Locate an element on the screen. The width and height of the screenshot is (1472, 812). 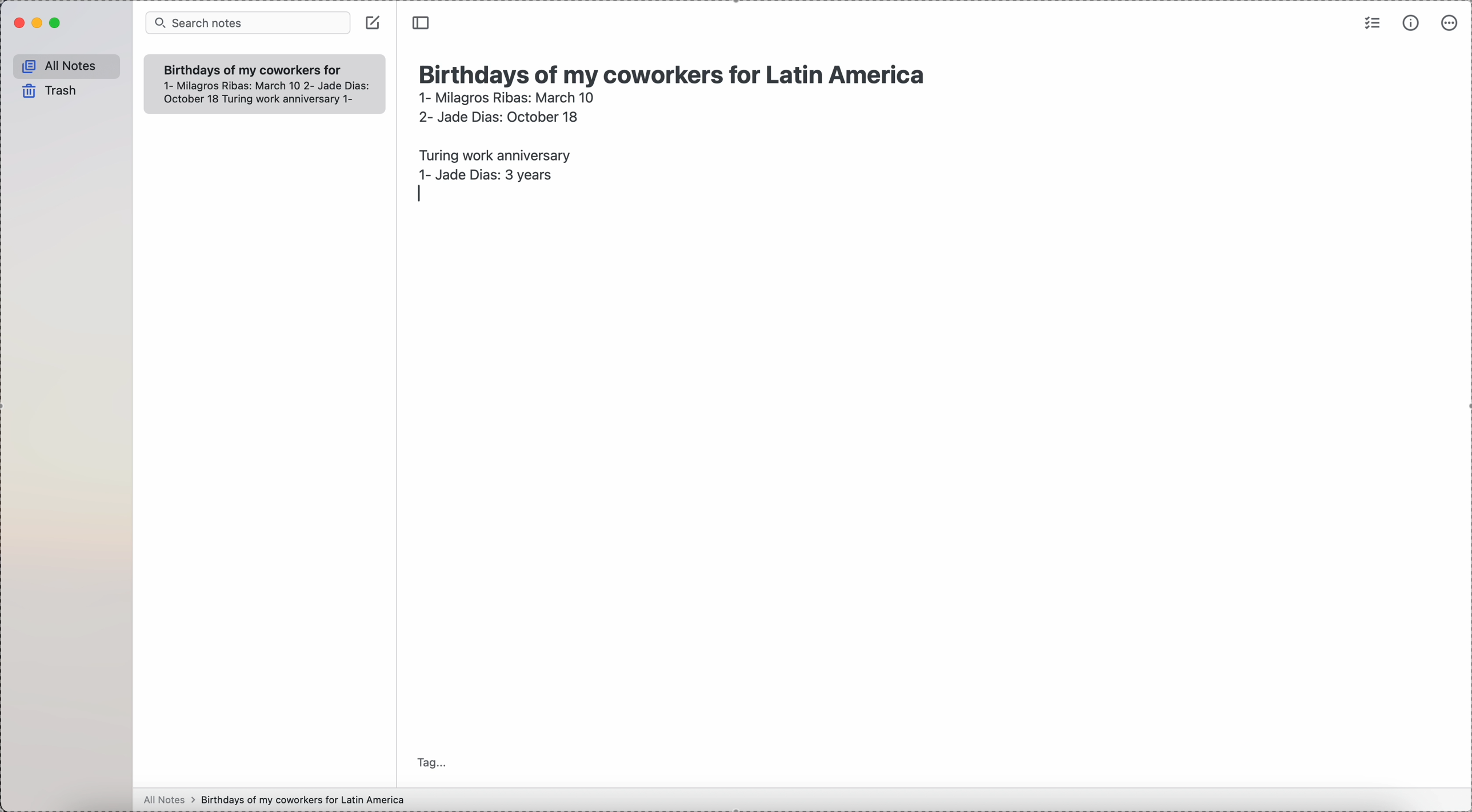
Birthdays of my coworkers for Latin America is located at coordinates (677, 72).